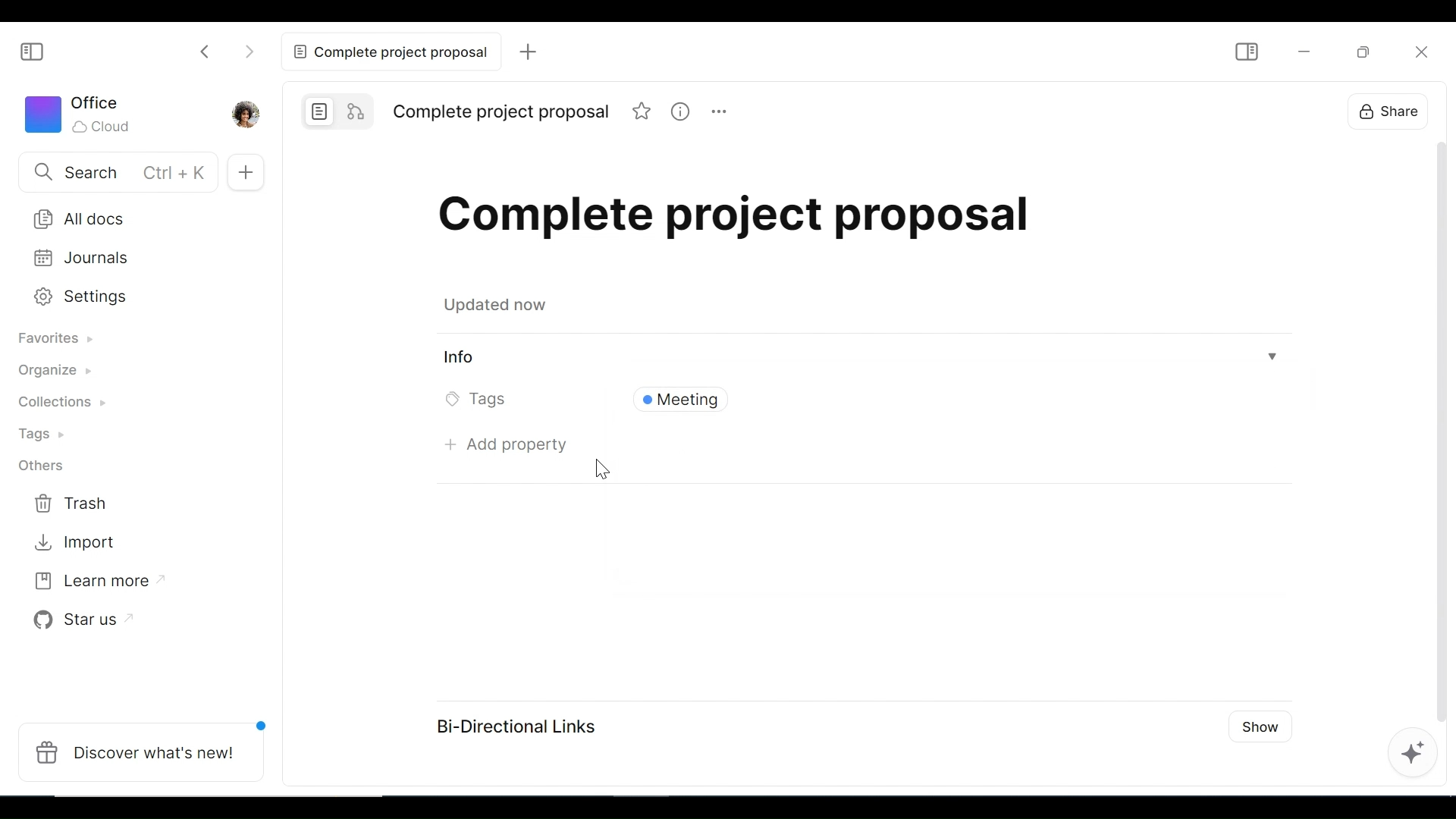 Image resolution: width=1456 pixels, height=819 pixels. Describe the element at coordinates (722, 114) in the screenshot. I see `more` at that location.